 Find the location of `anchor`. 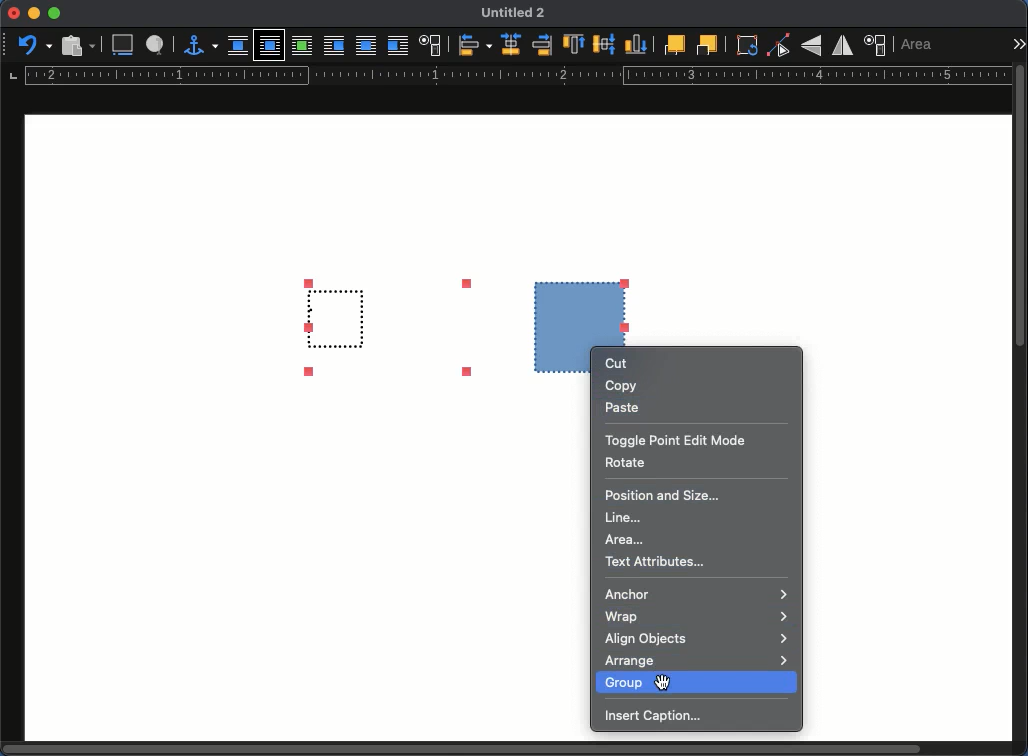

anchor is located at coordinates (698, 594).